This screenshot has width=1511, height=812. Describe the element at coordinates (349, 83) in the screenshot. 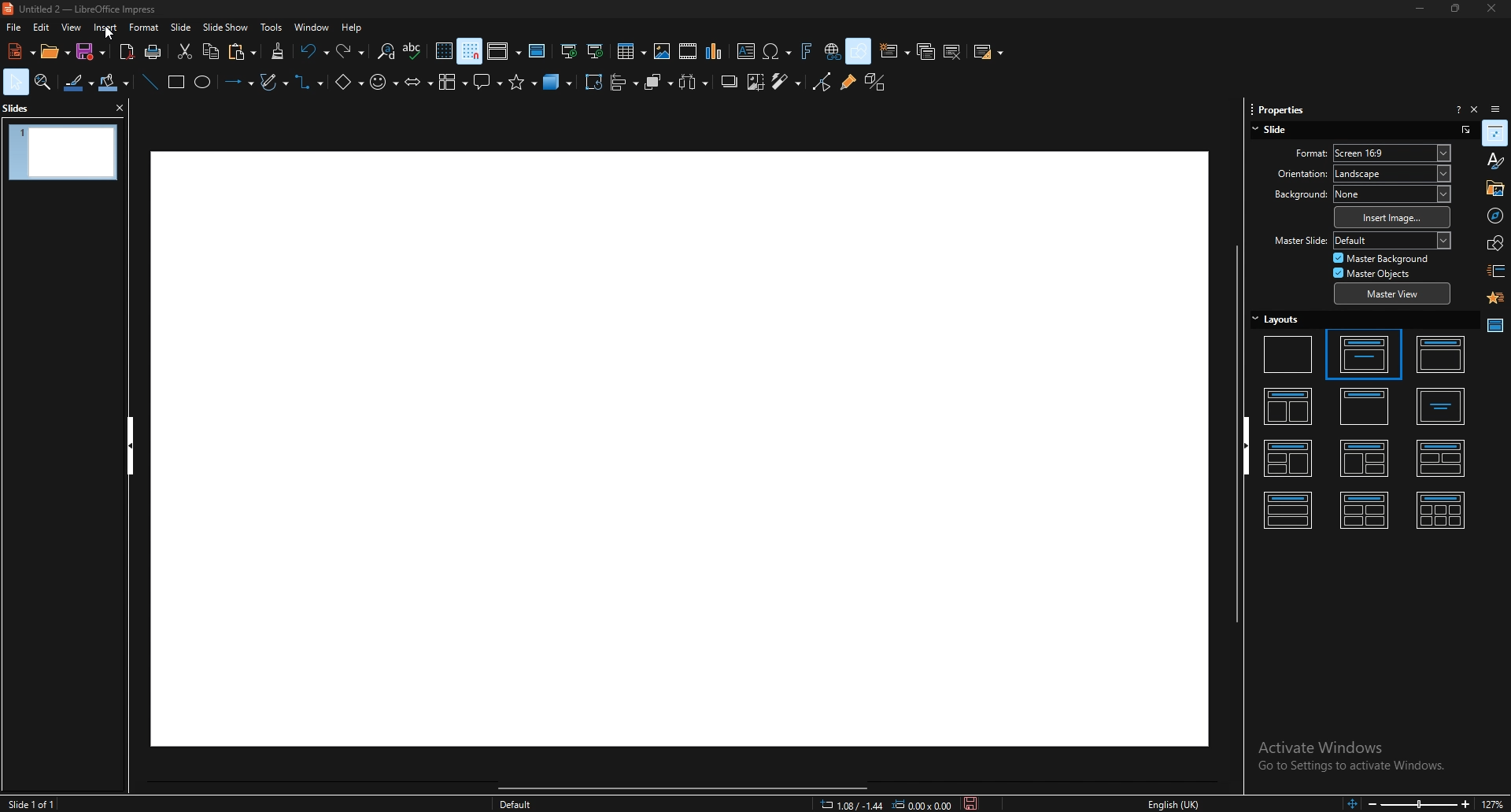

I see `basic shapes` at that location.